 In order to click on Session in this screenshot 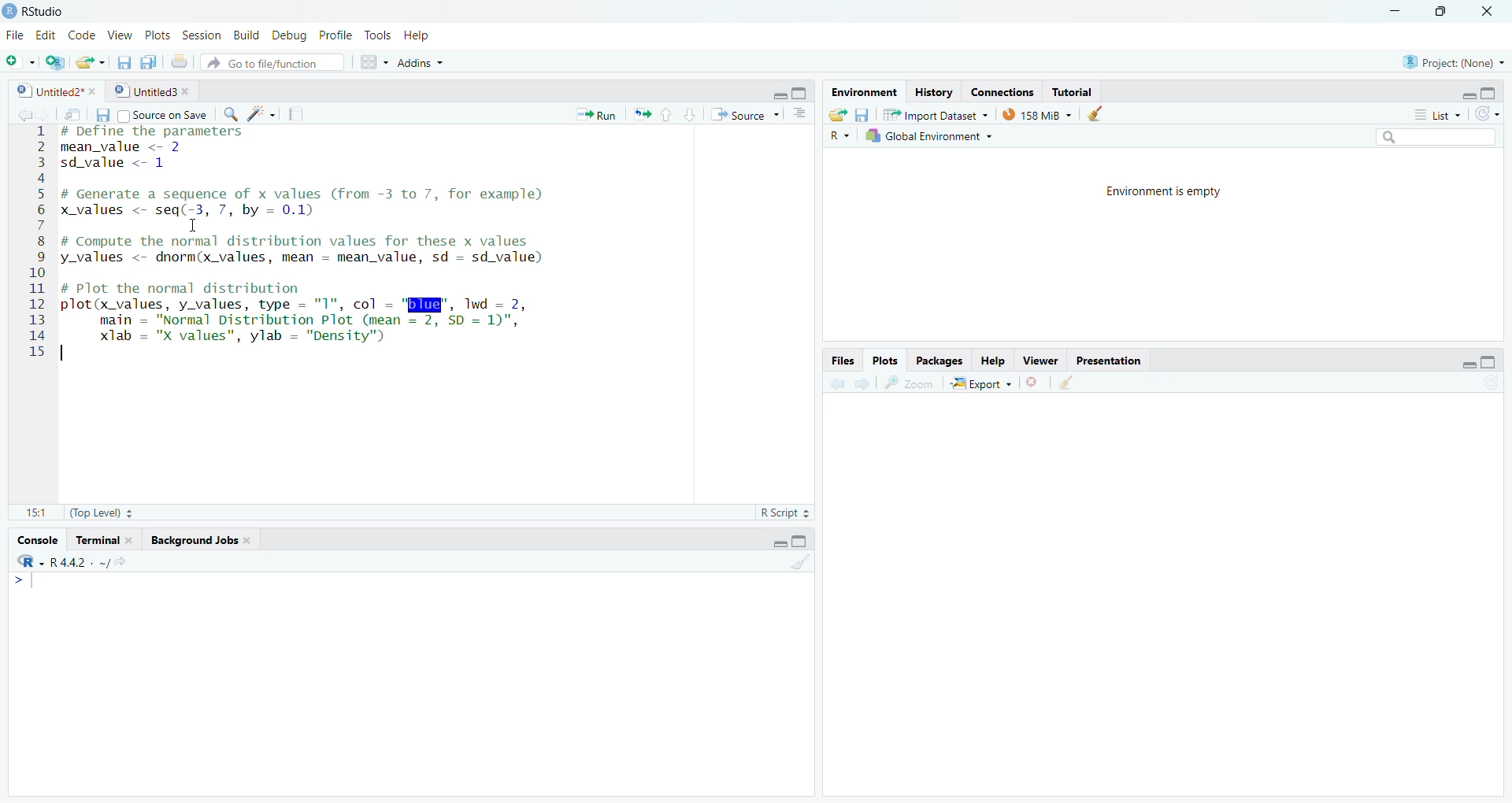, I will do `click(198, 34)`.